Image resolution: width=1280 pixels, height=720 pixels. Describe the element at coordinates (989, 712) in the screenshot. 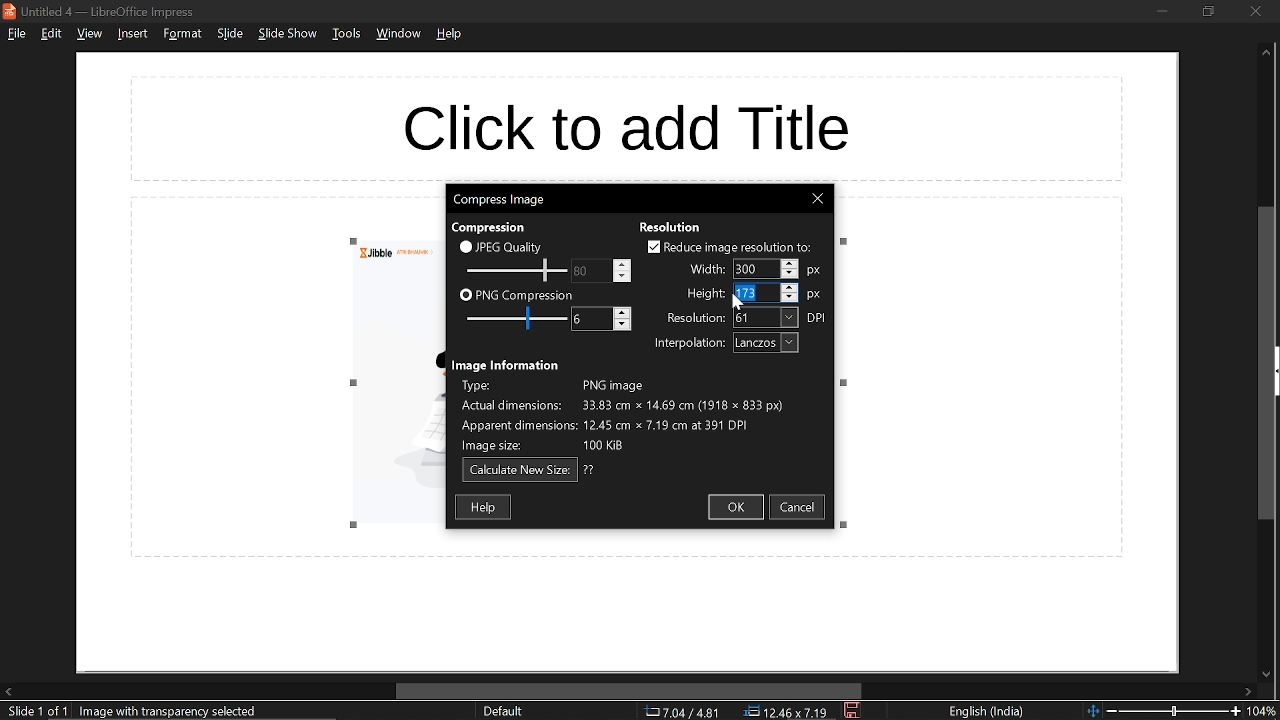

I see `language` at that location.